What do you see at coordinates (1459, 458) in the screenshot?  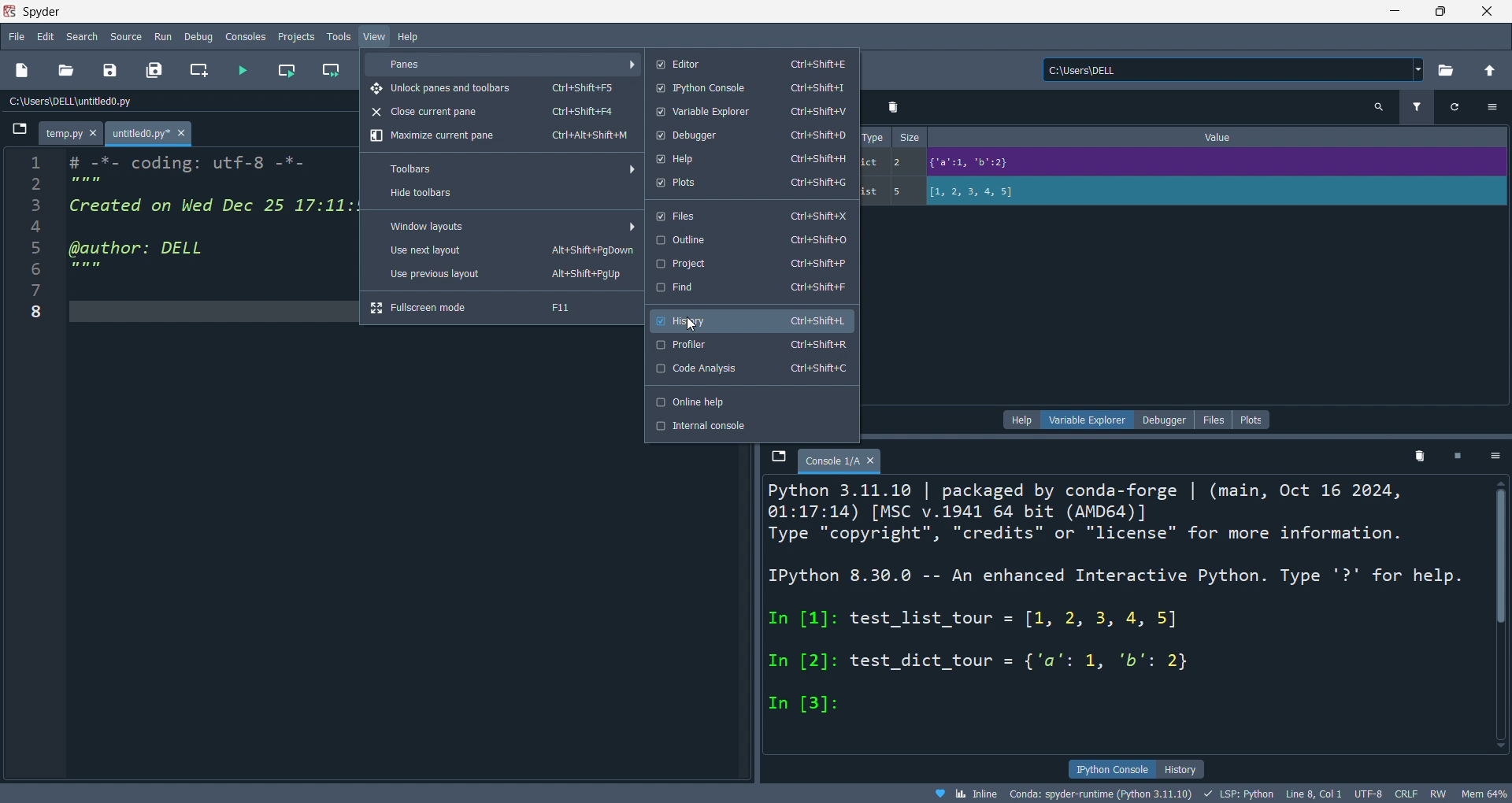 I see `close kernel` at bounding box center [1459, 458].